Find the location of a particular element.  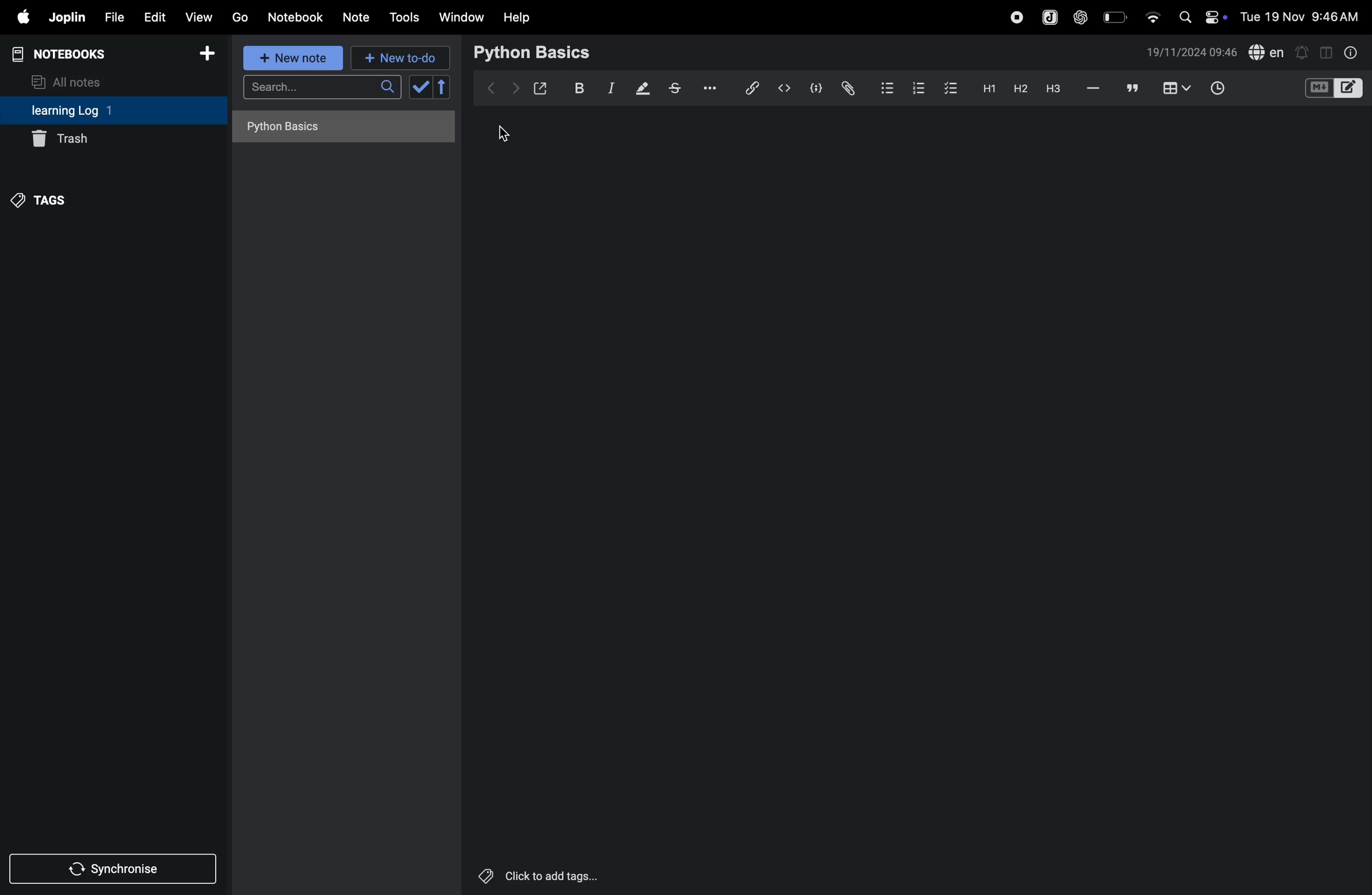

joplin is located at coordinates (1048, 17).